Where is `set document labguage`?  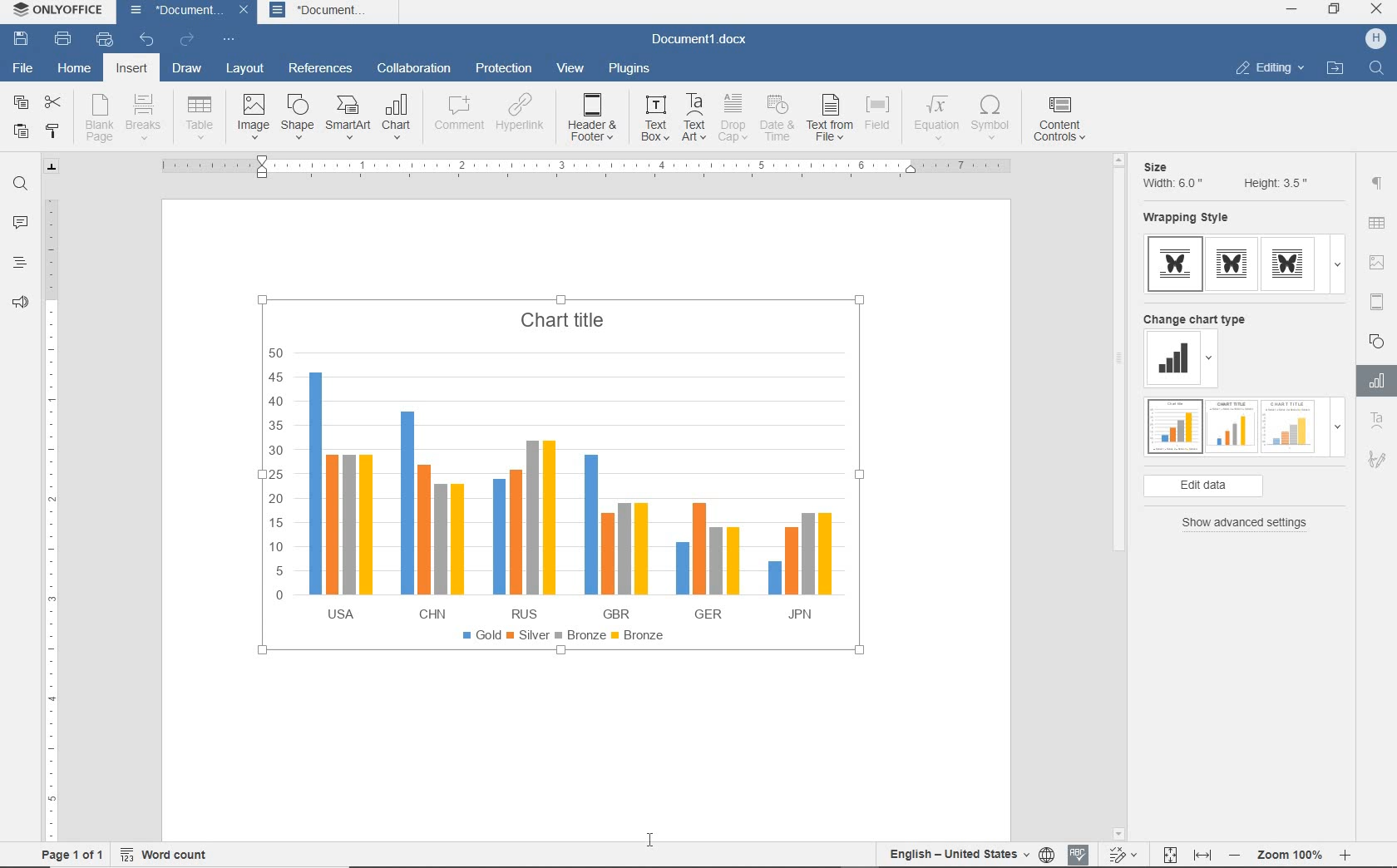 set document labguage is located at coordinates (1048, 855).